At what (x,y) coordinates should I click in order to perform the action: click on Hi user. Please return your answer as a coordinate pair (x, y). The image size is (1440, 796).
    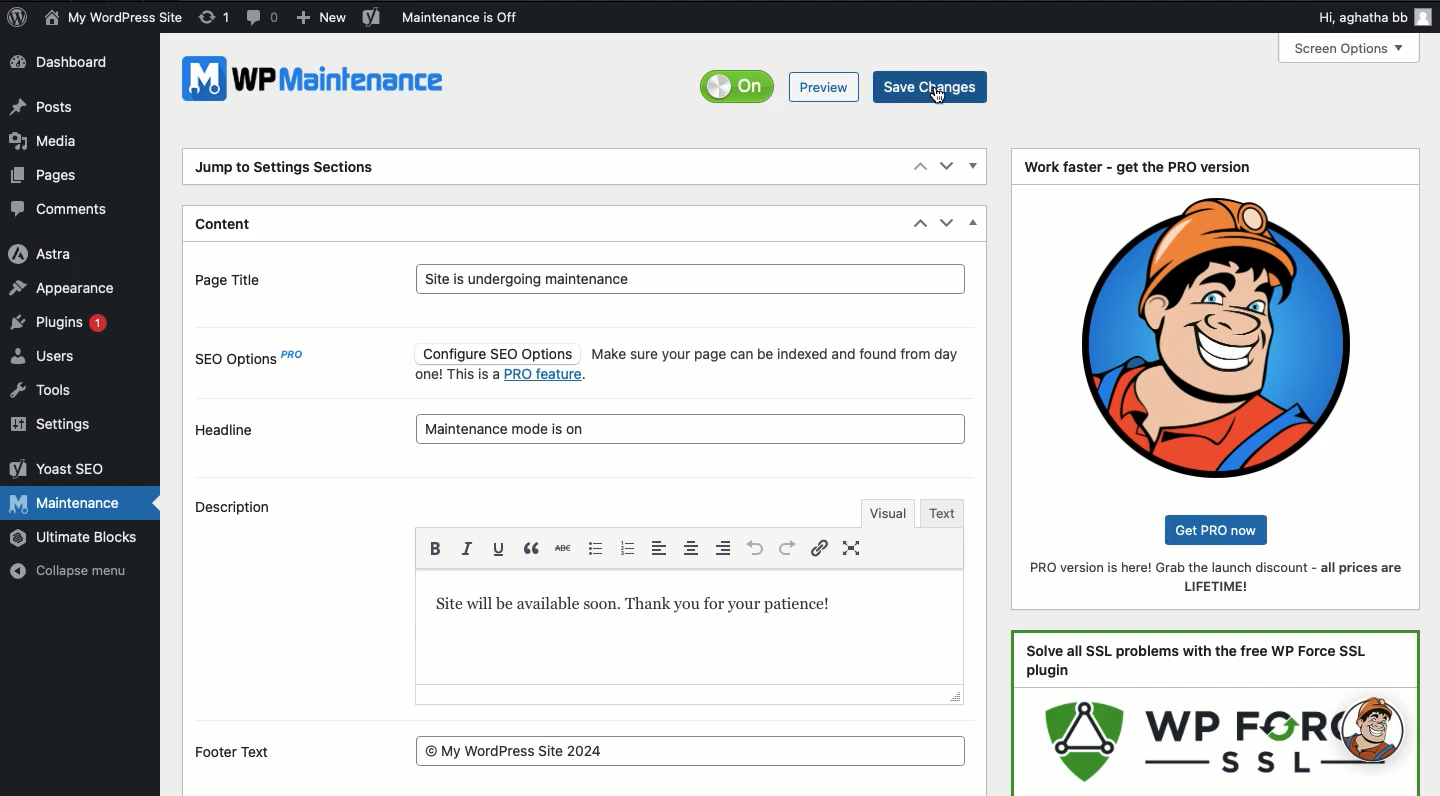
    Looking at the image, I should click on (1372, 14).